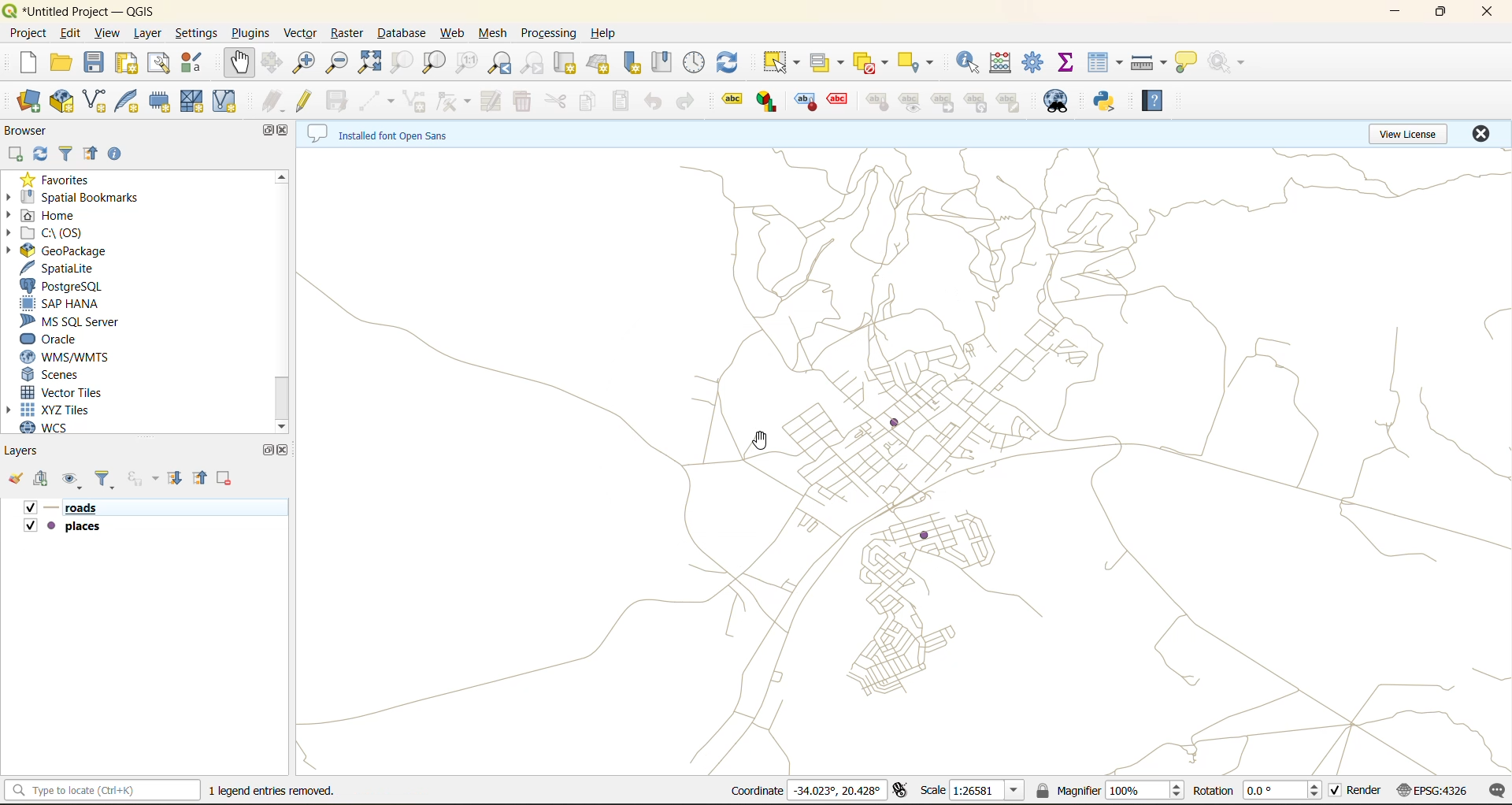  Describe the element at coordinates (13, 154) in the screenshot. I see `add` at that location.